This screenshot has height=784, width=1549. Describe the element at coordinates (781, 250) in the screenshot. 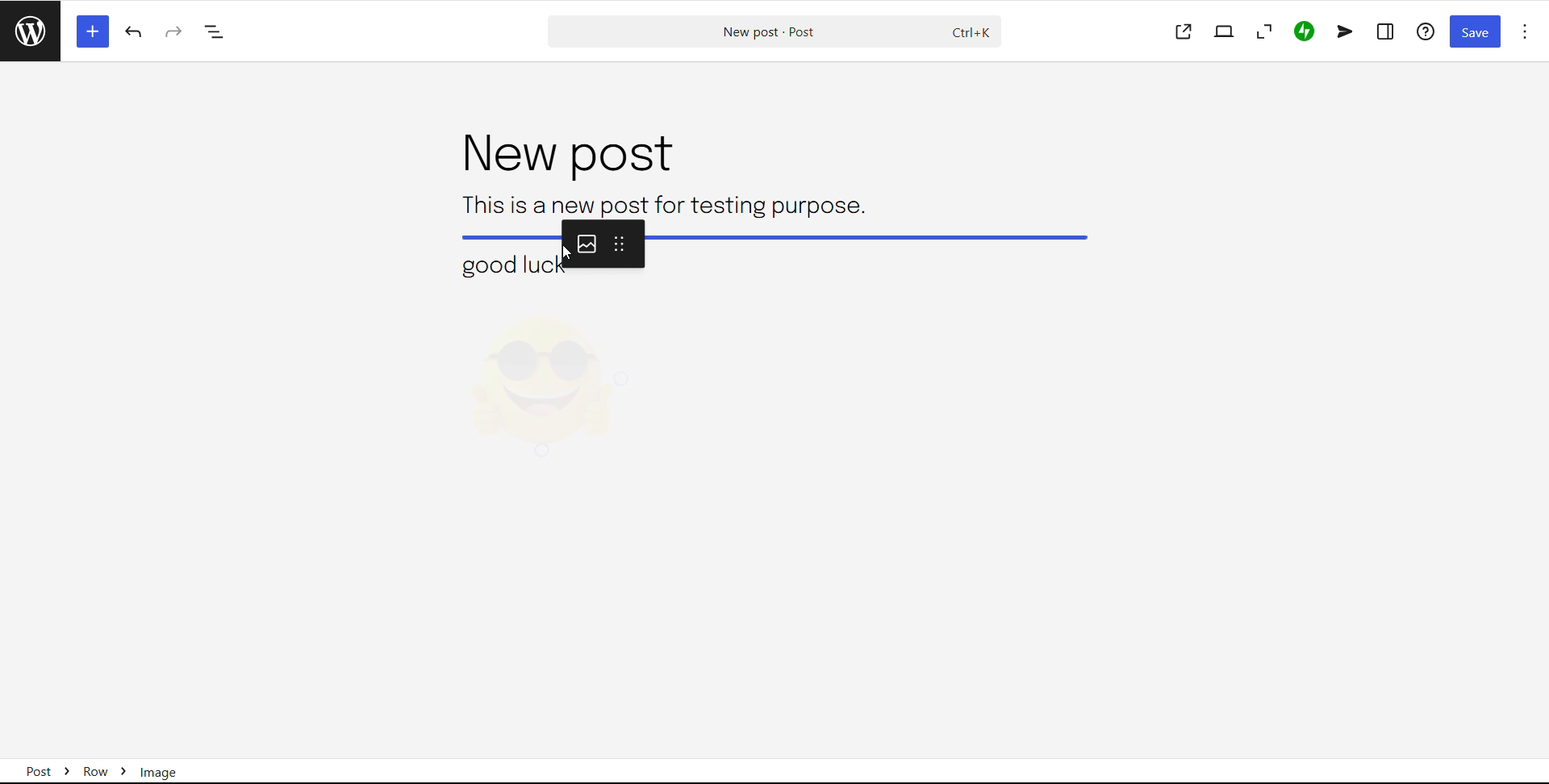

I see `image dragging` at that location.